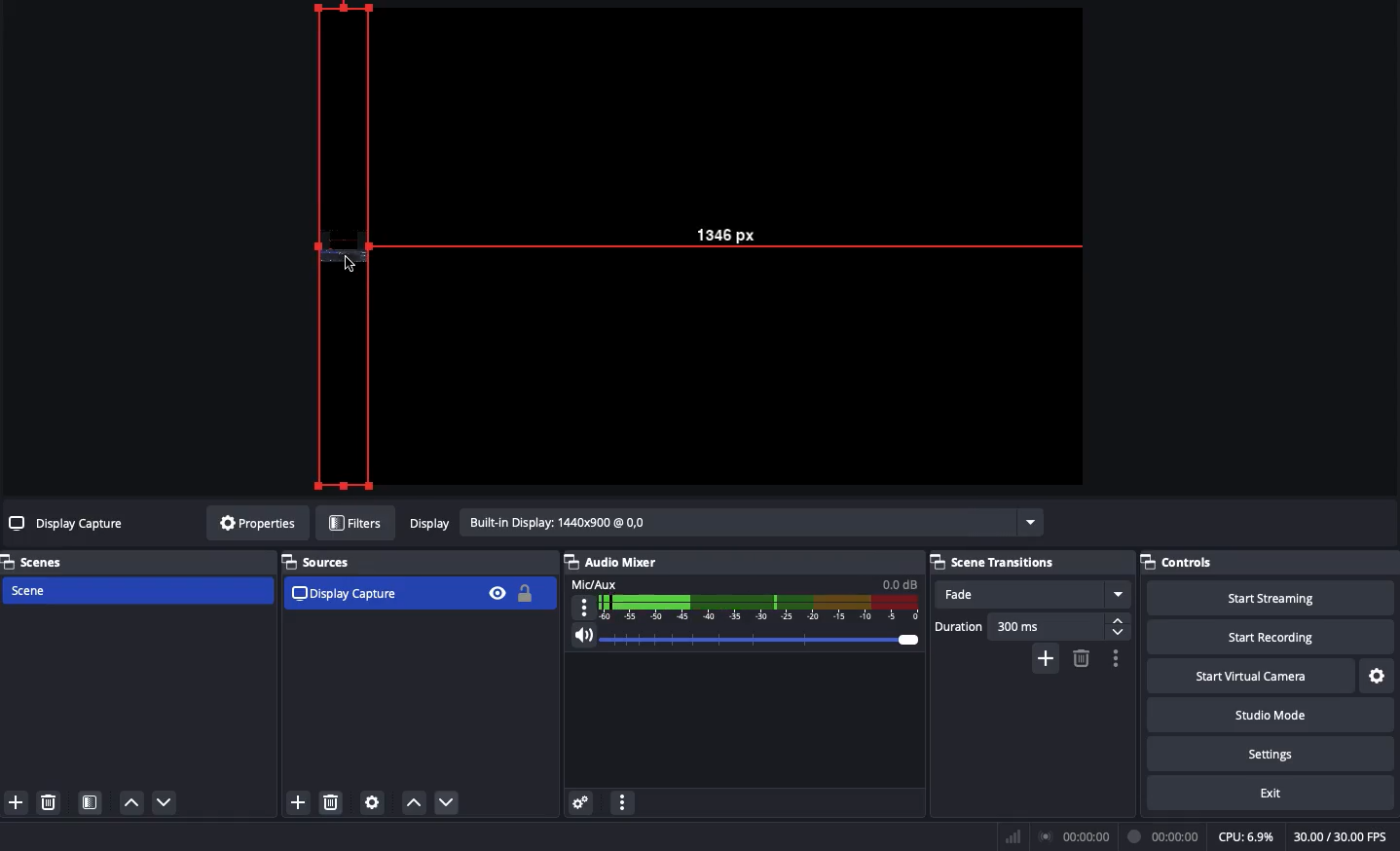 The height and width of the screenshot is (851, 1400). I want to click on Settings, so click(1379, 677).